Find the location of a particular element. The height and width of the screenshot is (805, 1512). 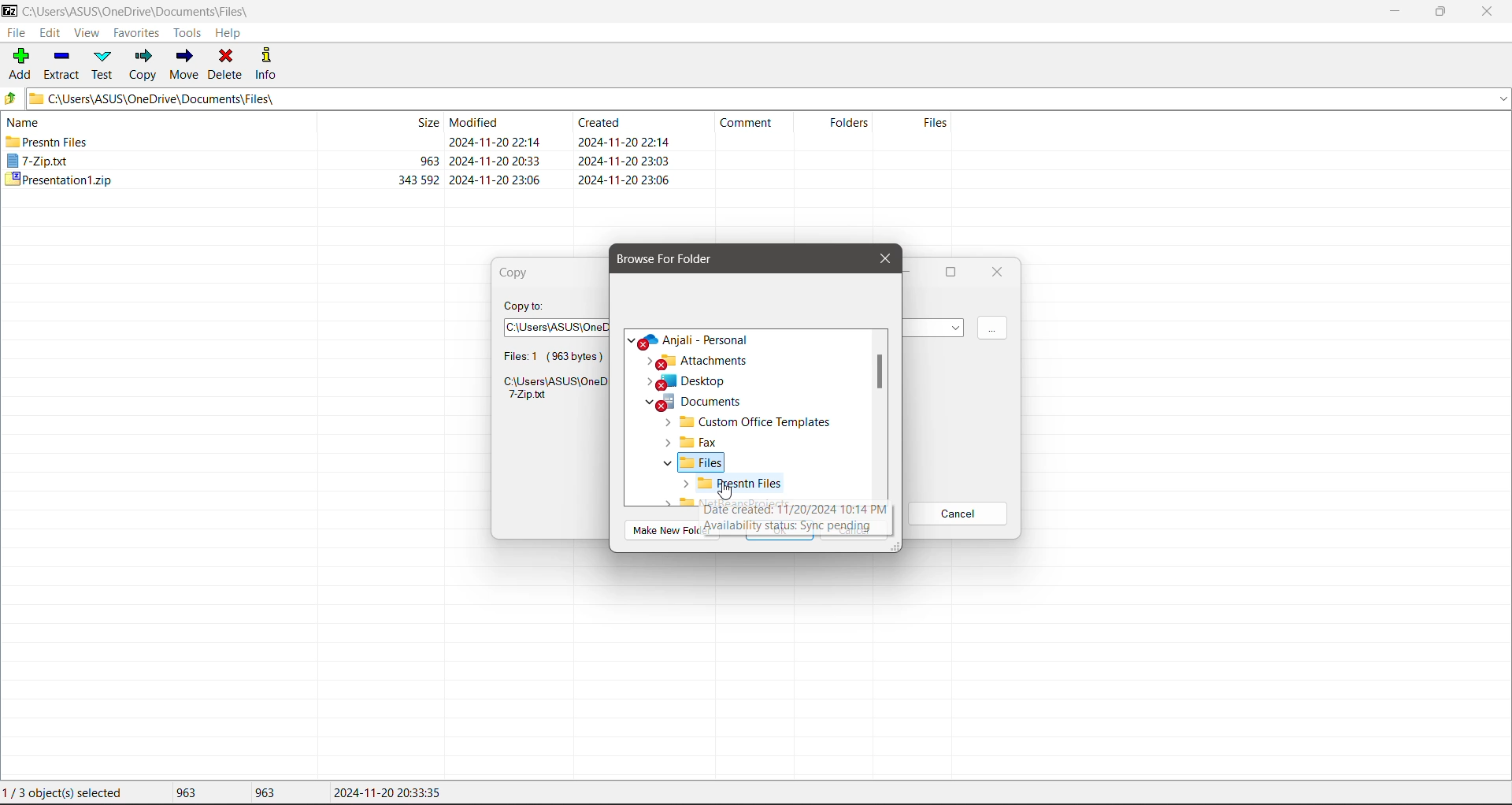

Browse for Folder is located at coordinates (673, 259).